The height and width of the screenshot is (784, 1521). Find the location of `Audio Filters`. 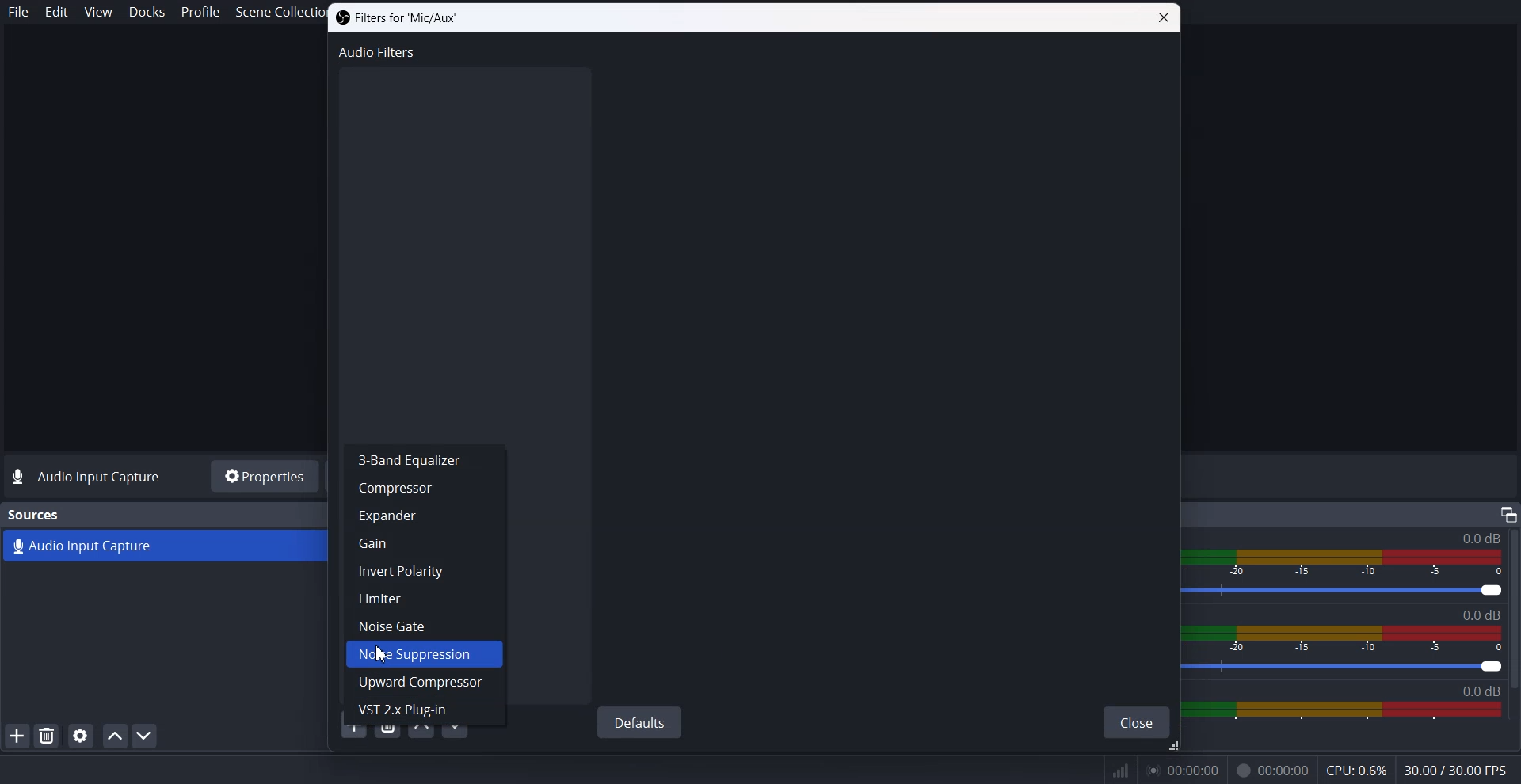

Audio Filters is located at coordinates (378, 51).